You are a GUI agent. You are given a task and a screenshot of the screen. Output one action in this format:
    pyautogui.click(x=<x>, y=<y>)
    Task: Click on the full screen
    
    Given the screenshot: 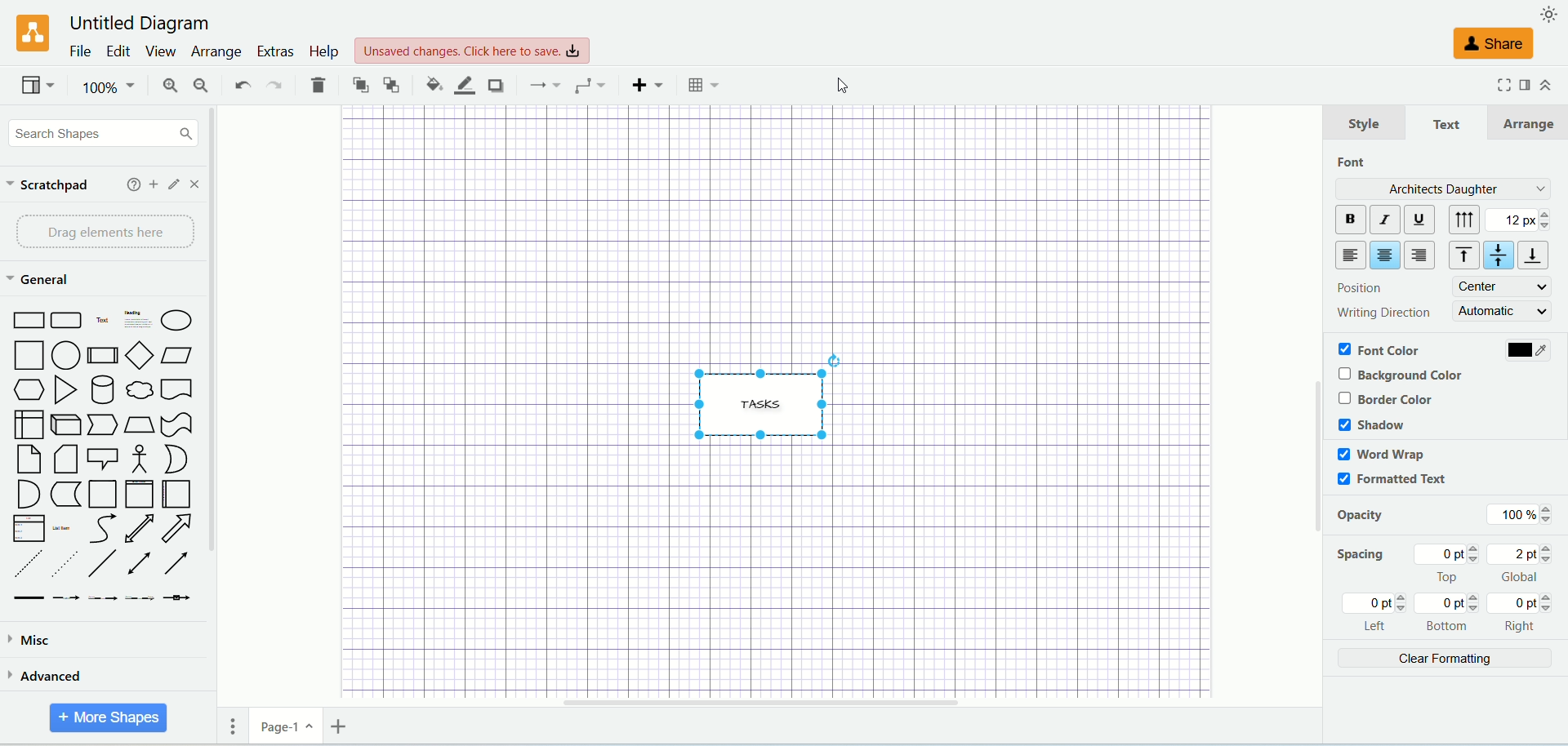 What is the action you would take?
    pyautogui.click(x=1501, y=89)
    